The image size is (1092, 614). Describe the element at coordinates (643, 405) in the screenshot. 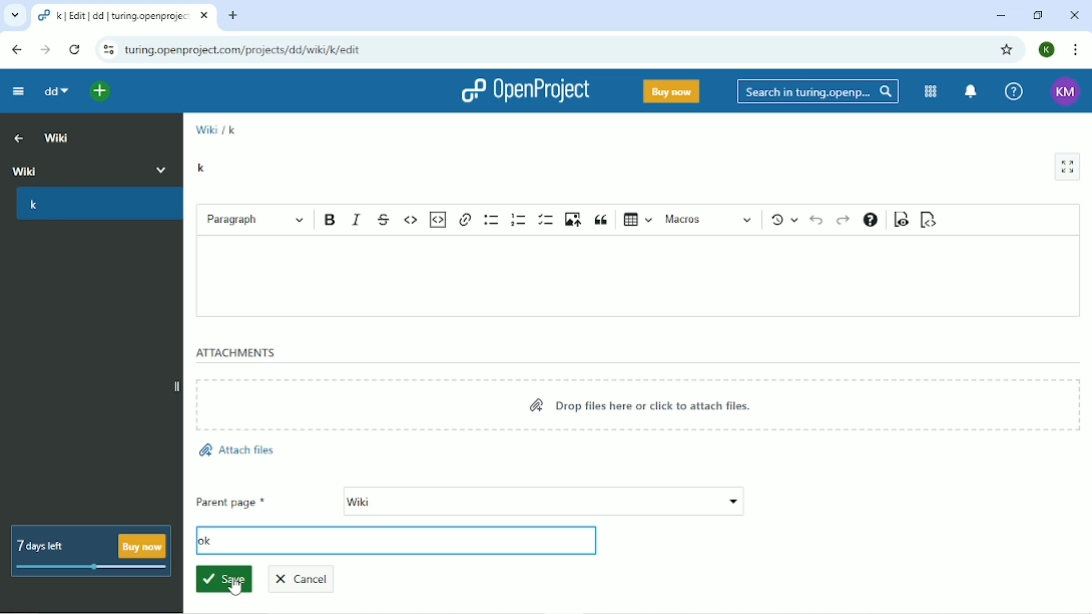

I see `Drop files here or click to attach files.` at that location.